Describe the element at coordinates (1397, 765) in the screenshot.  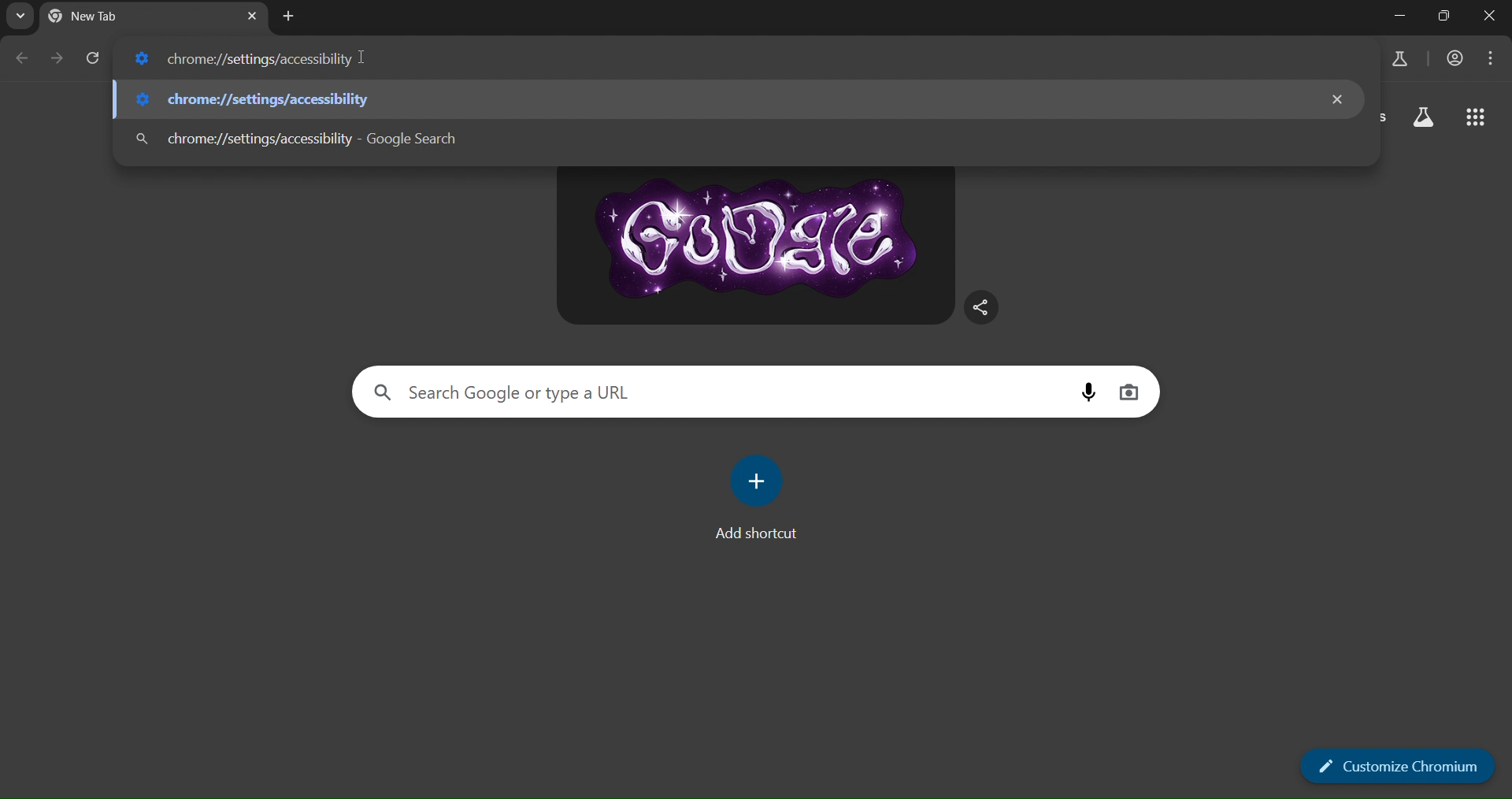
I see `customize chromium` at that location.